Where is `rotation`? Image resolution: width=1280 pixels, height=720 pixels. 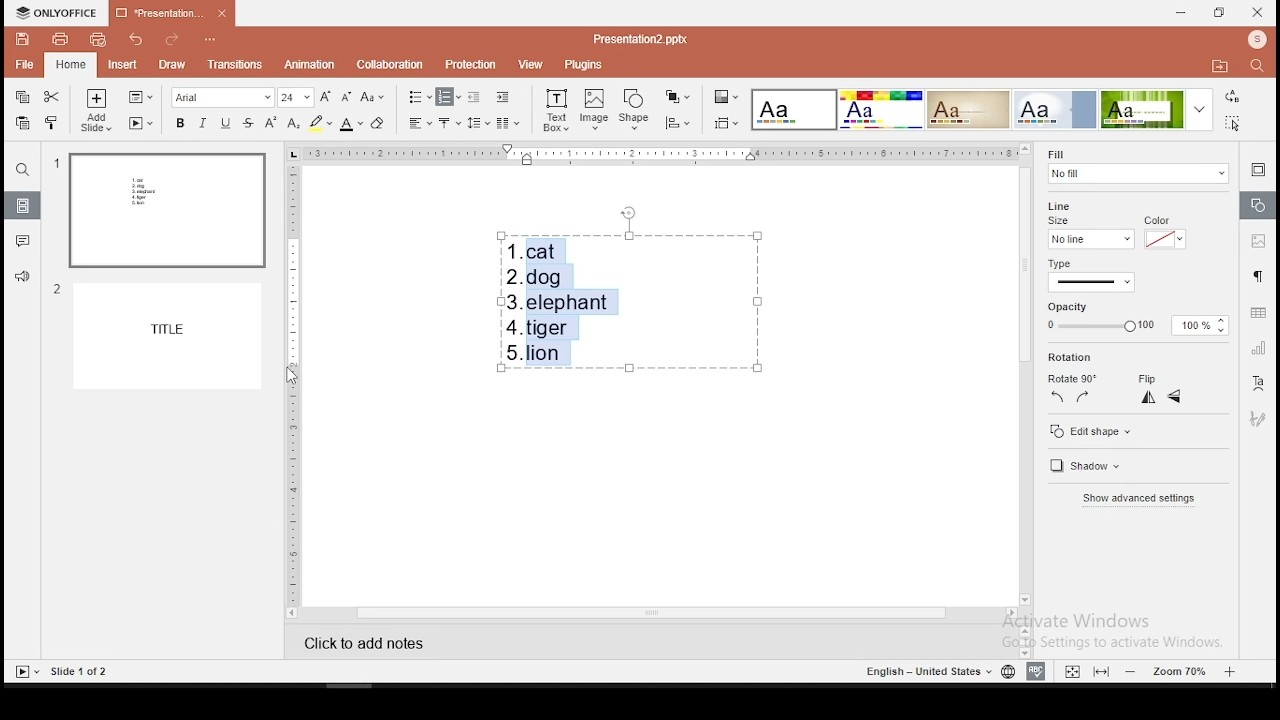
rotation is located at coordinates (1071, 358).